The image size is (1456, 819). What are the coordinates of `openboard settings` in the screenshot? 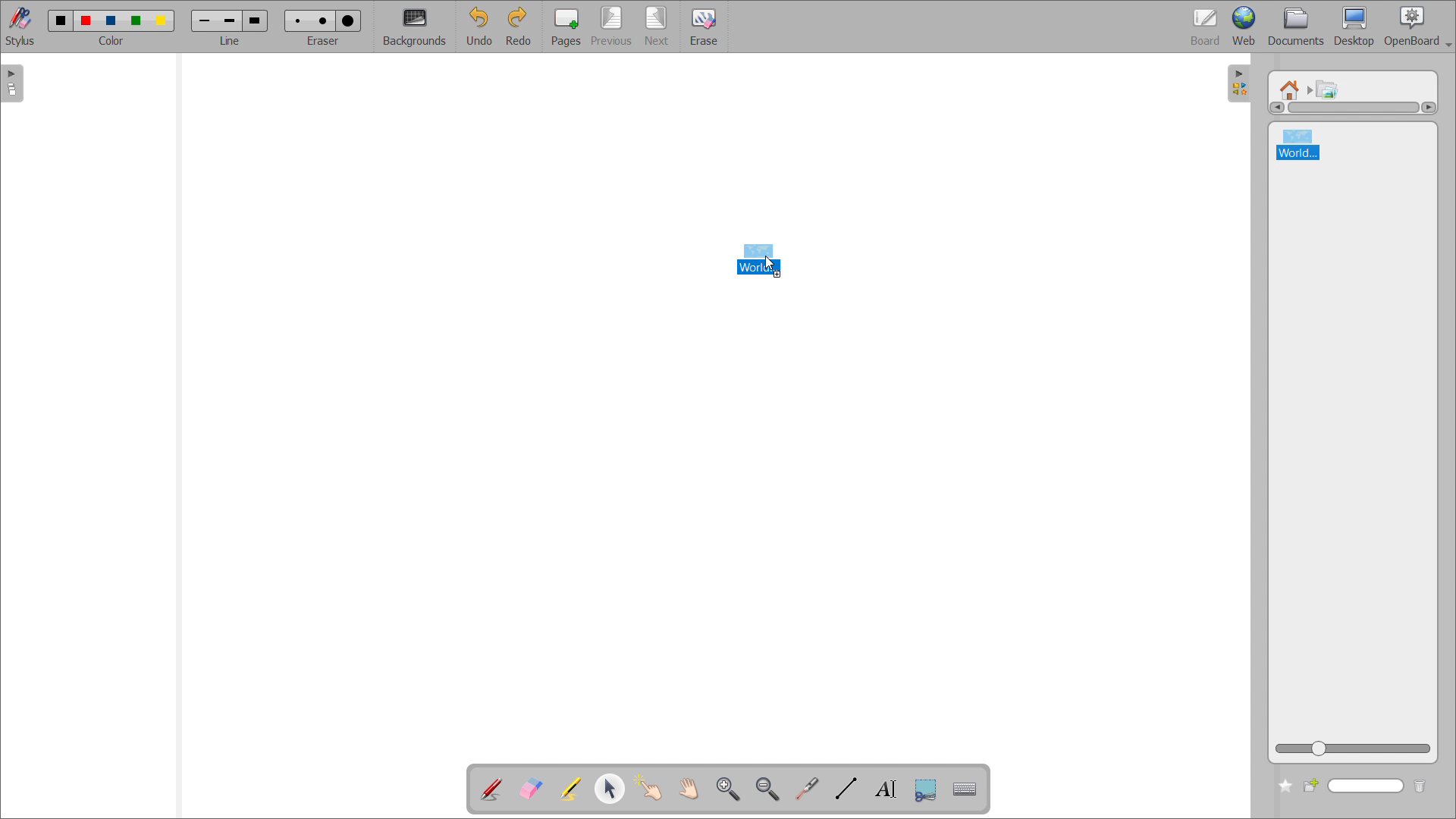 It's located at (1417, 27).